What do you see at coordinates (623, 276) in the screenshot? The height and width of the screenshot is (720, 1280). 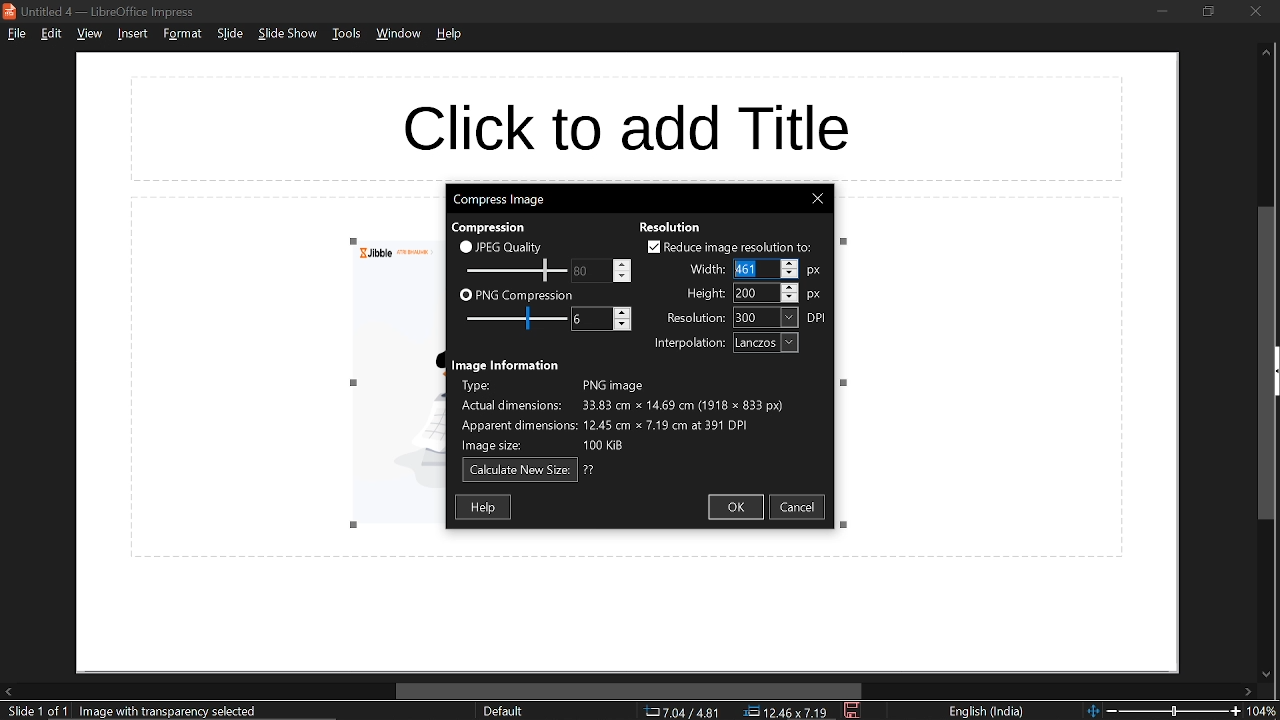 I see `Decrease ` at bounding box center [623, 276].